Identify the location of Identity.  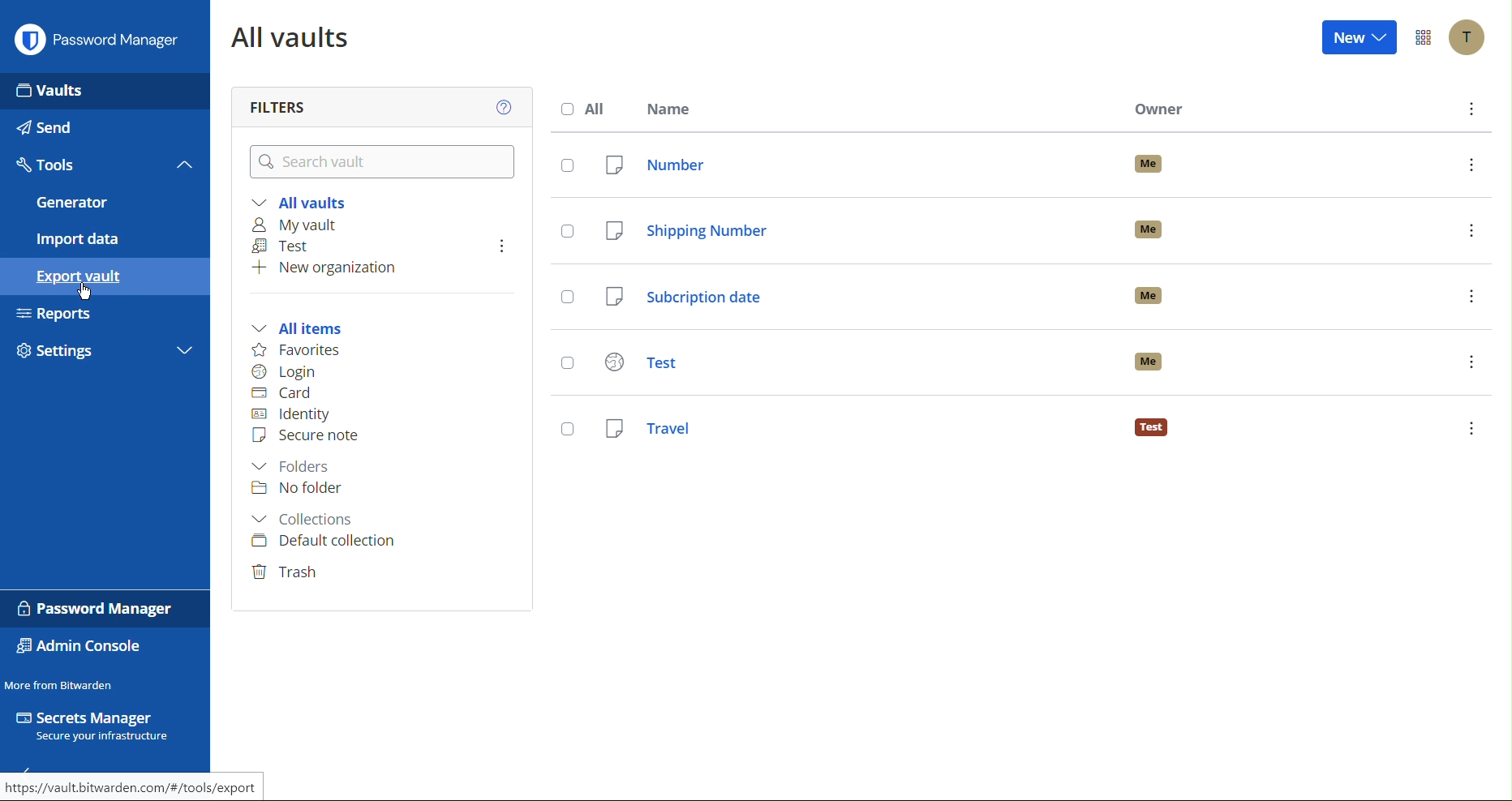
(291, 415).